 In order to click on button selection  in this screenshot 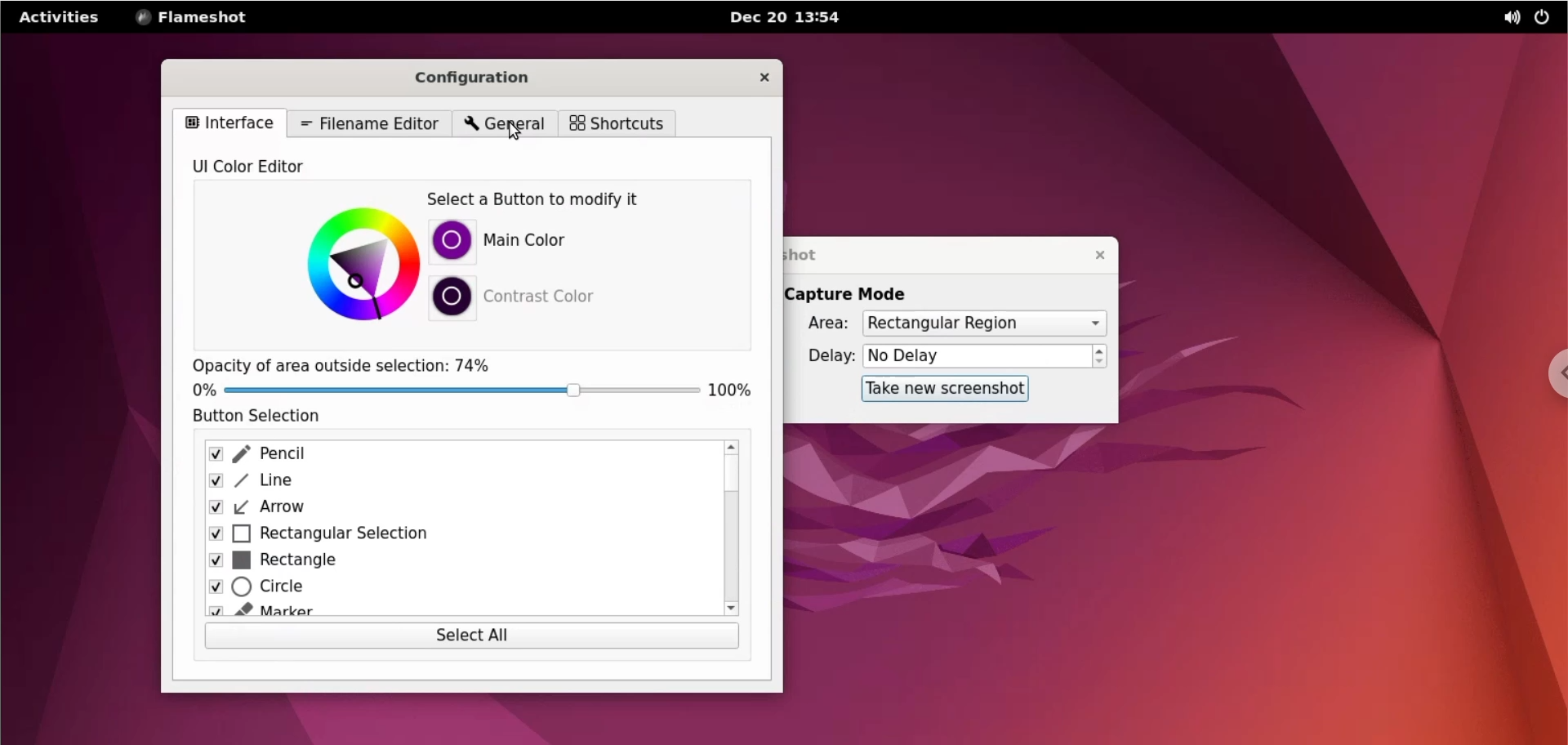, I will do `click(265, 417)`.